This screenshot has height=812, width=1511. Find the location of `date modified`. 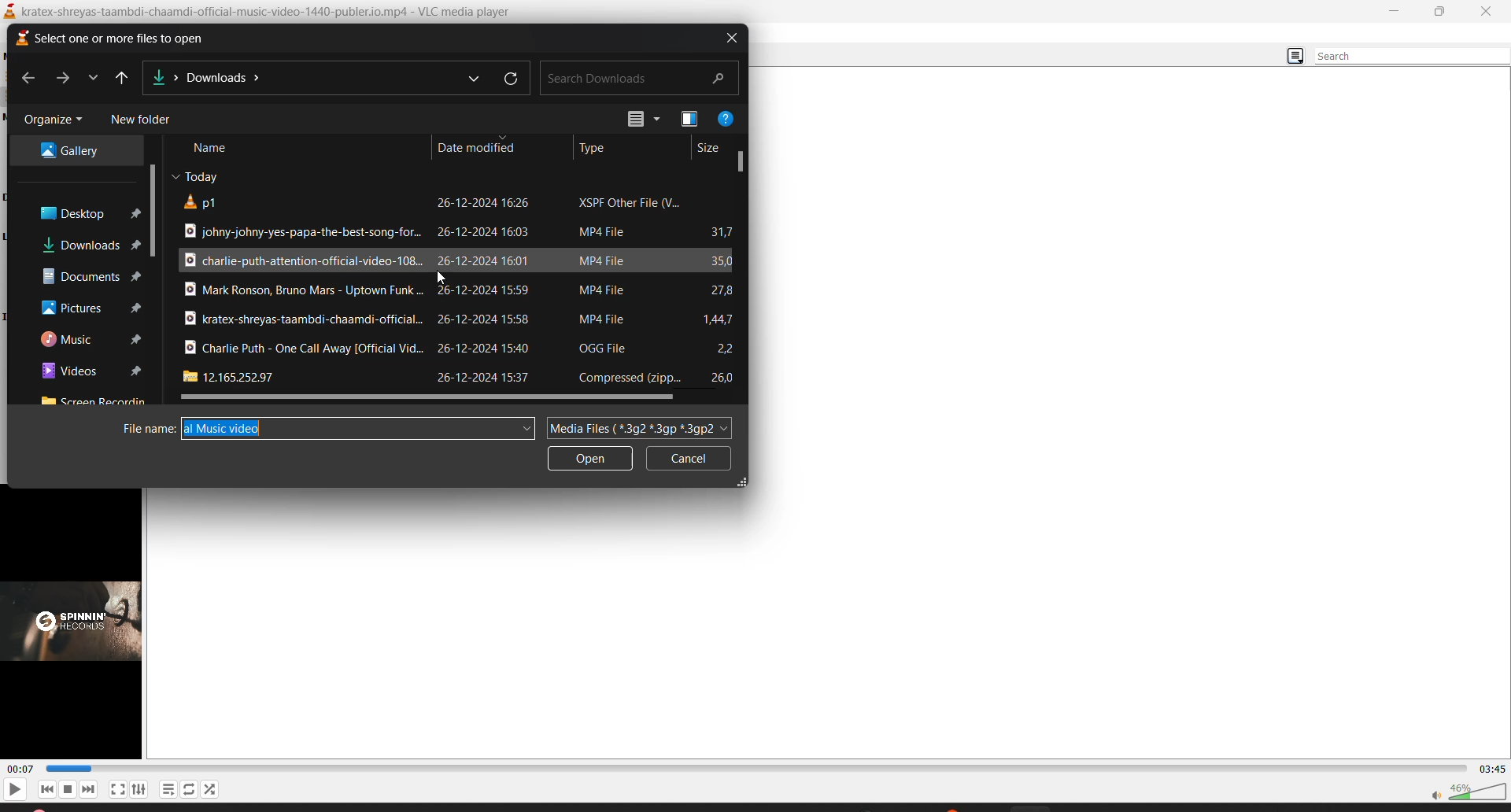

date modified is located at coordinates (478, 375).